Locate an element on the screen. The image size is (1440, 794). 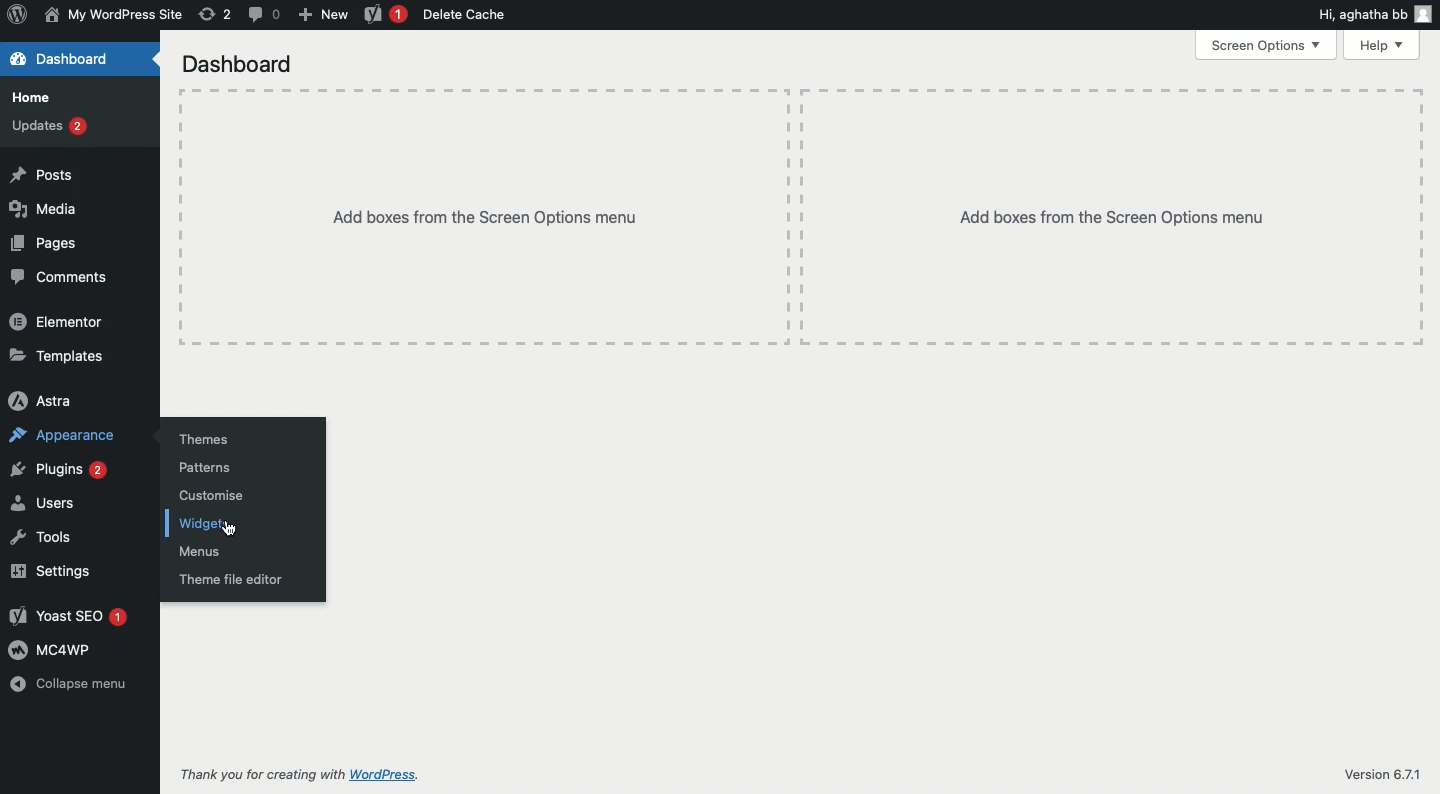
Revision is located at coordinates (216, 13).